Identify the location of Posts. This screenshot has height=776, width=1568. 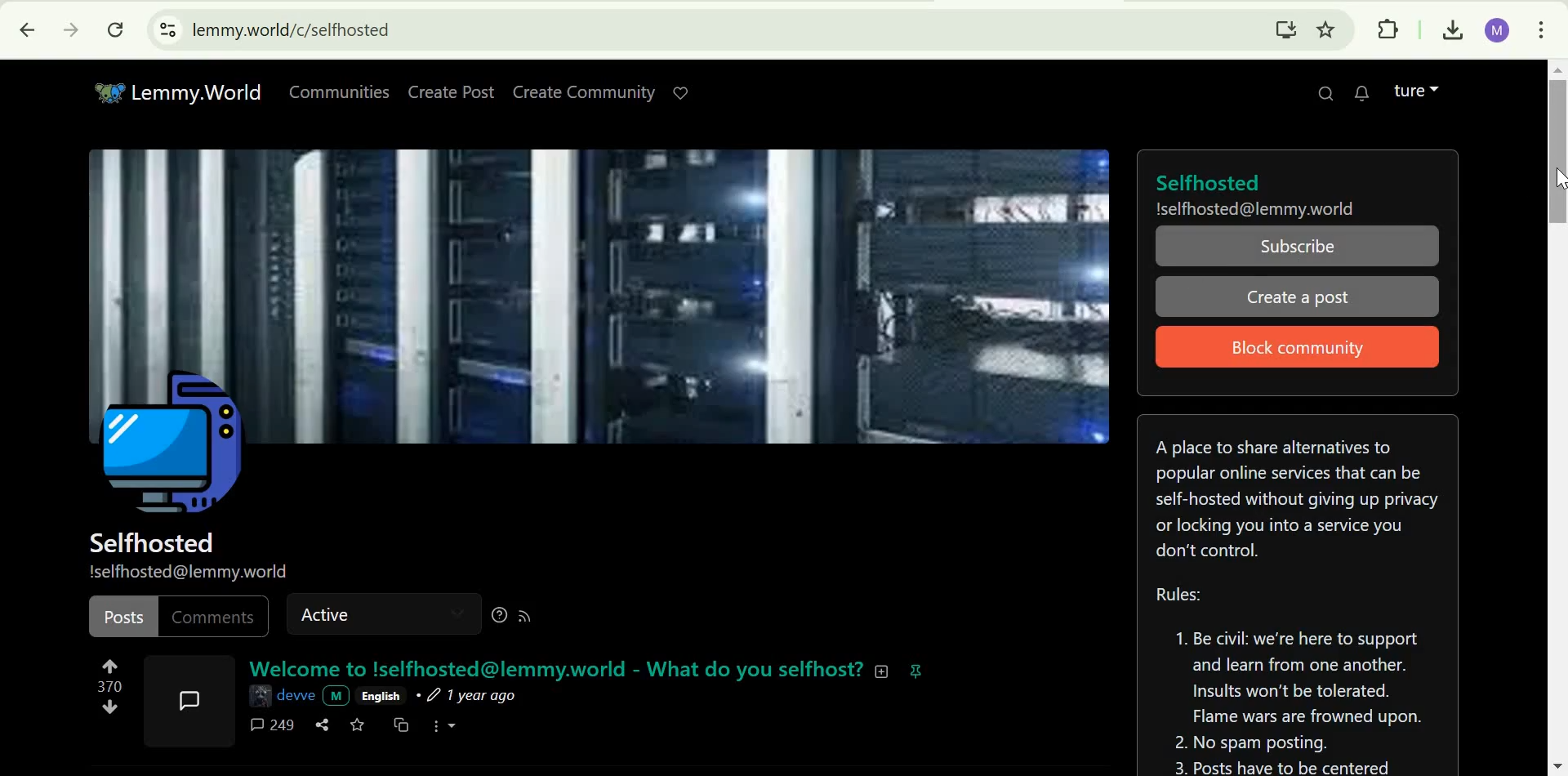
(123, 617).